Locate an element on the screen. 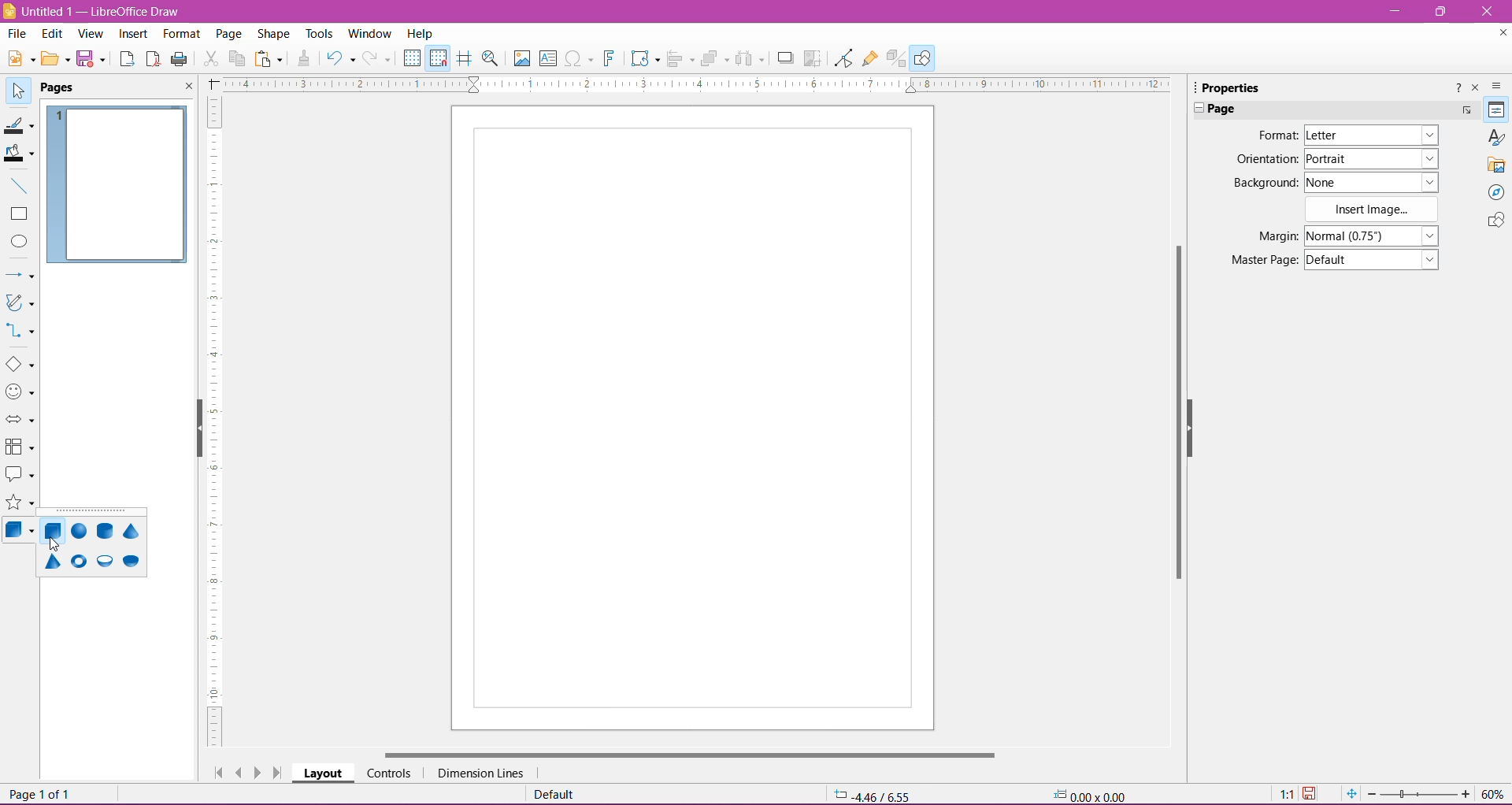 Image resolution: width=1512 pixels, height=805 pixels. Close is located at coordinates (1488, 12).